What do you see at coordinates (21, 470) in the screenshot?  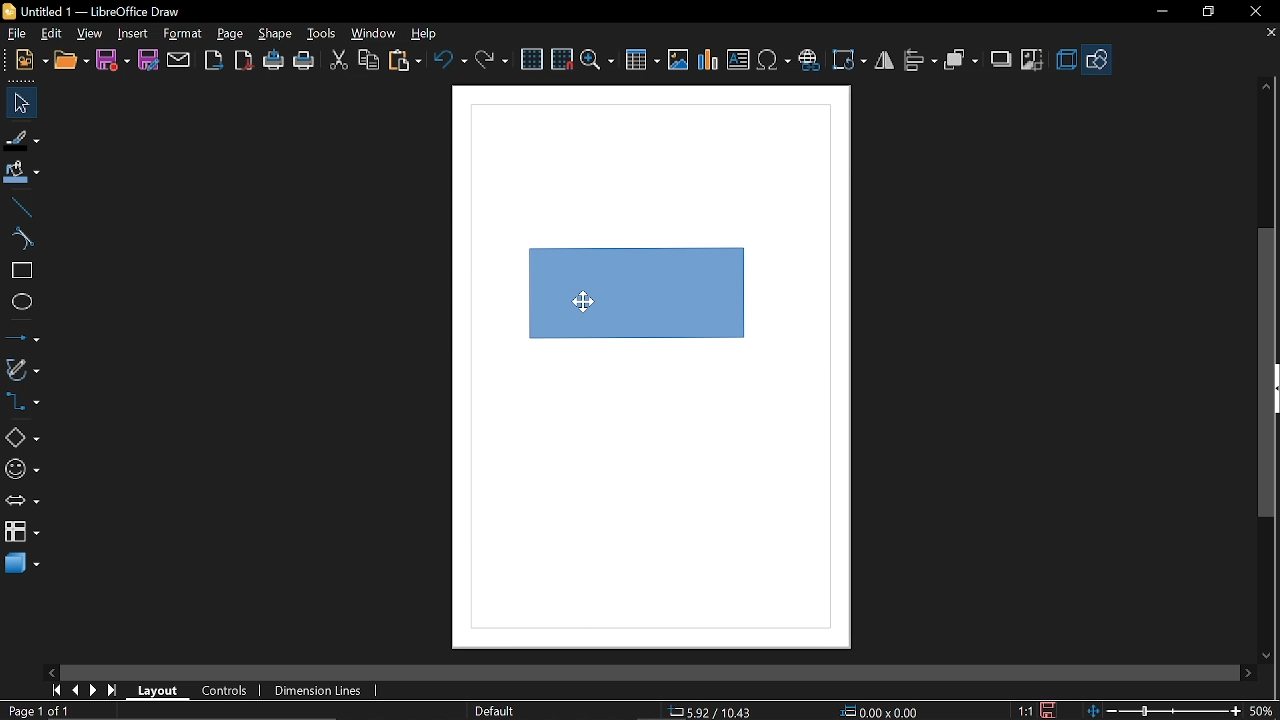 I see `Symbol shapes` at bounding box center [21, 470].